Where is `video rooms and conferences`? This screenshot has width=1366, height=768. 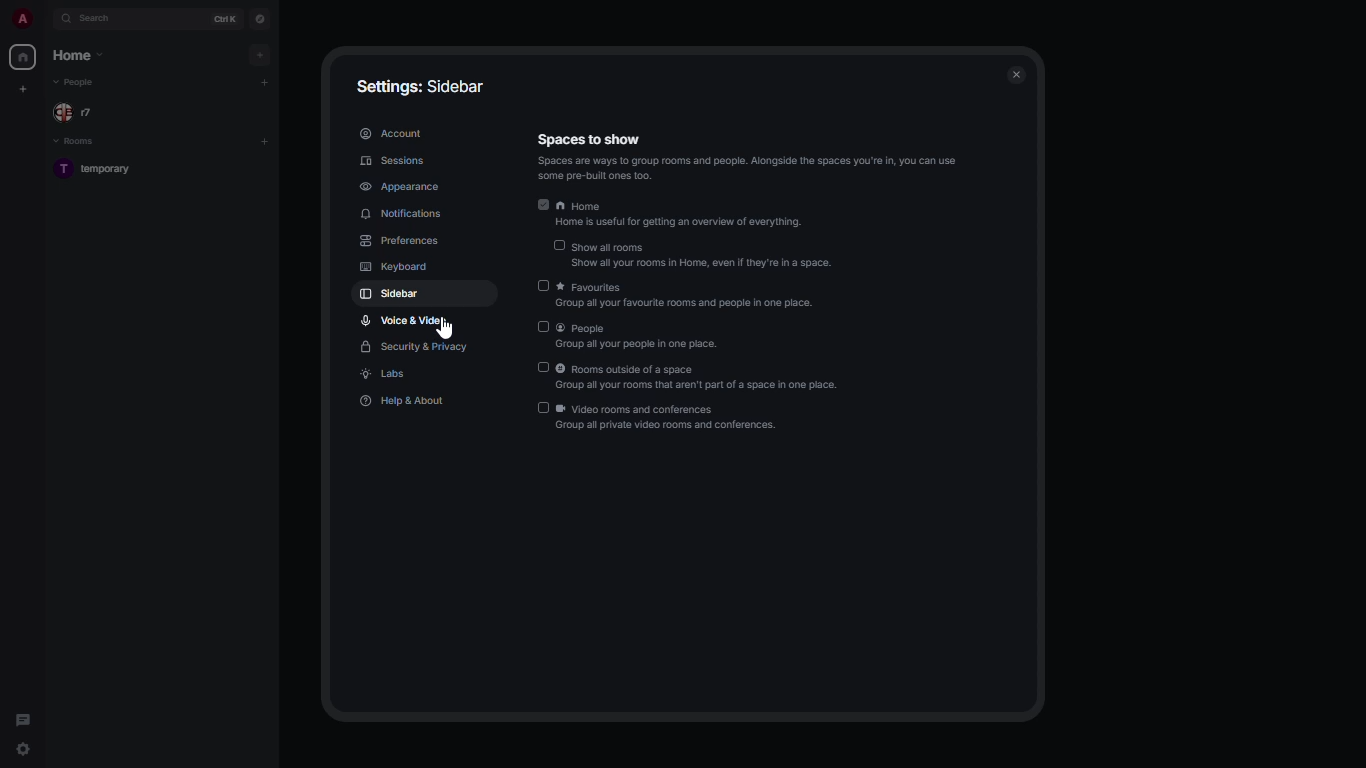
video rooms and conferences is located at coordinates (668, 409).